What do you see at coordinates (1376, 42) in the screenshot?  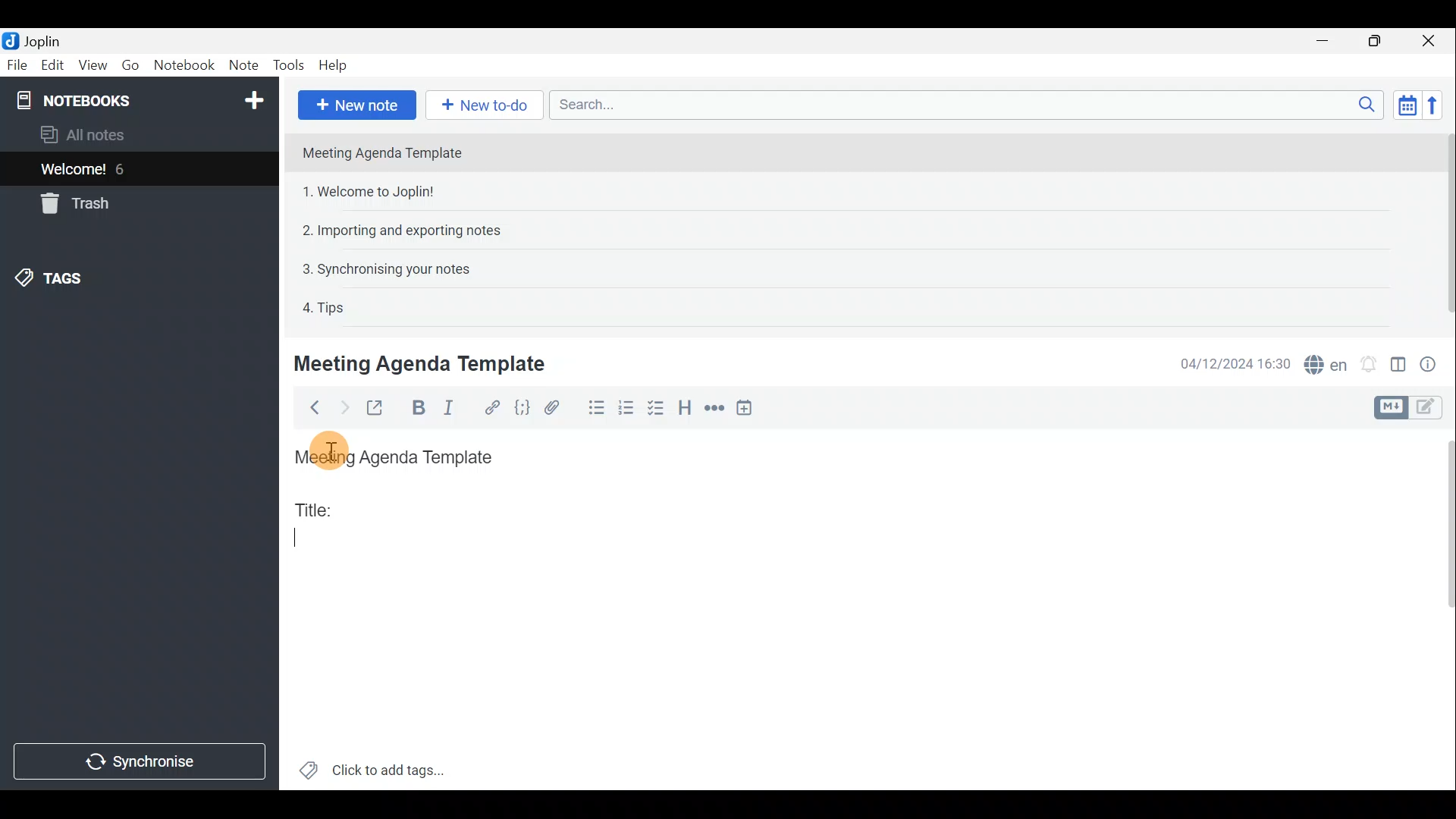 I see `Maximise` at bounding box center [1376, 42].